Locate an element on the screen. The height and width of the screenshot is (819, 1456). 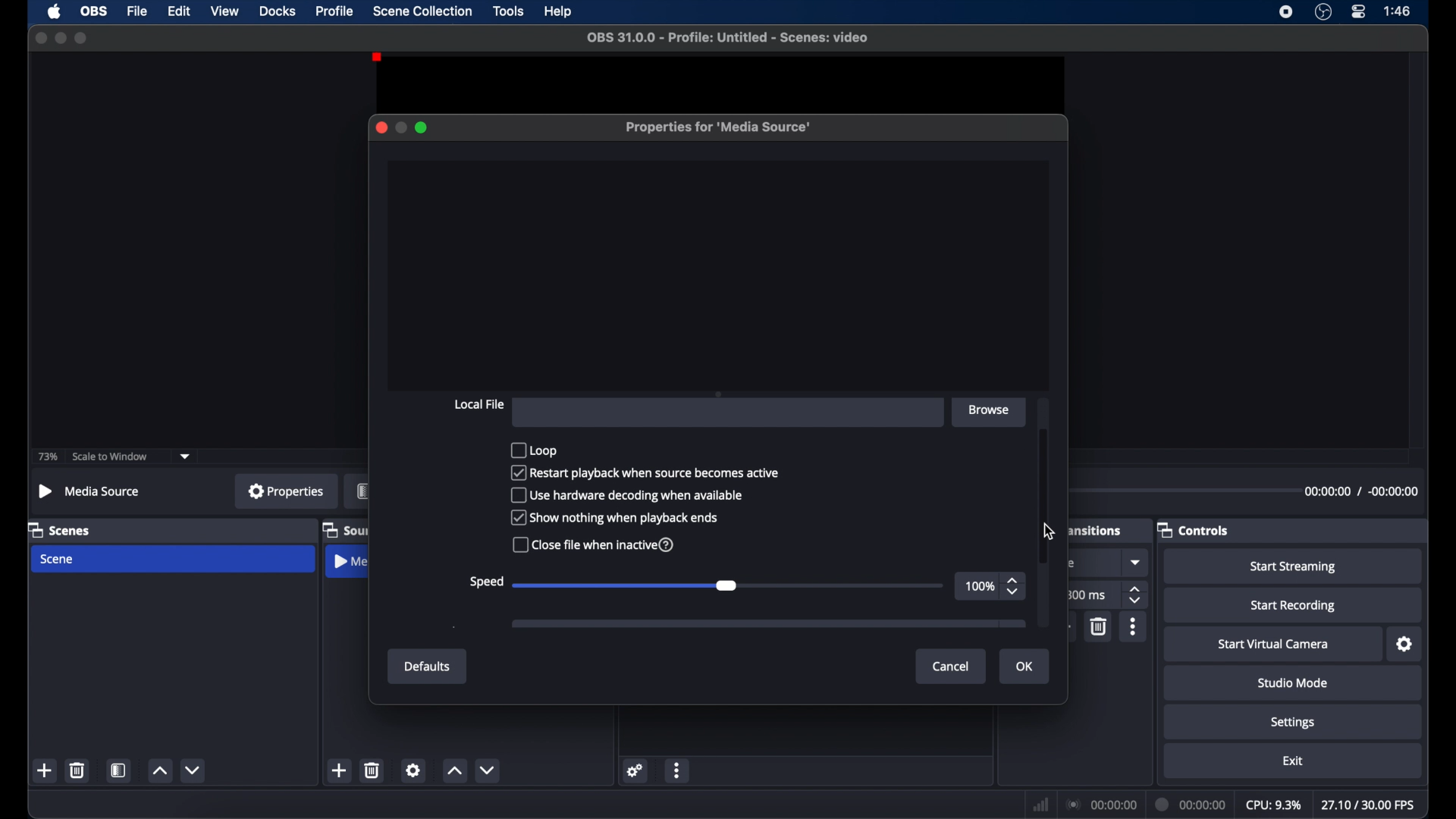
scene filters is located at coordinates (118, 770).